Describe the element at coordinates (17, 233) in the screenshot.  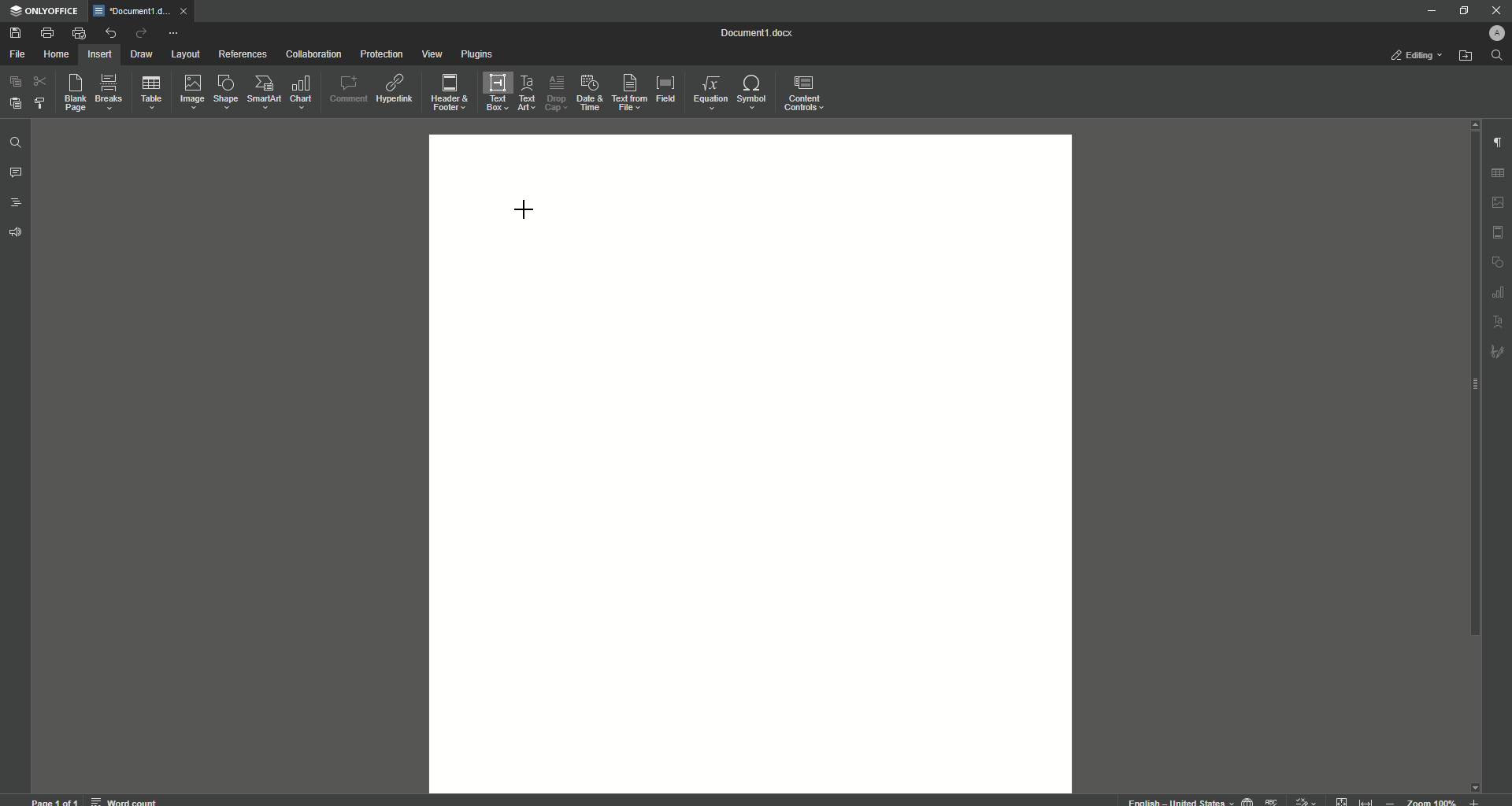
I see `Feedback` at that location.